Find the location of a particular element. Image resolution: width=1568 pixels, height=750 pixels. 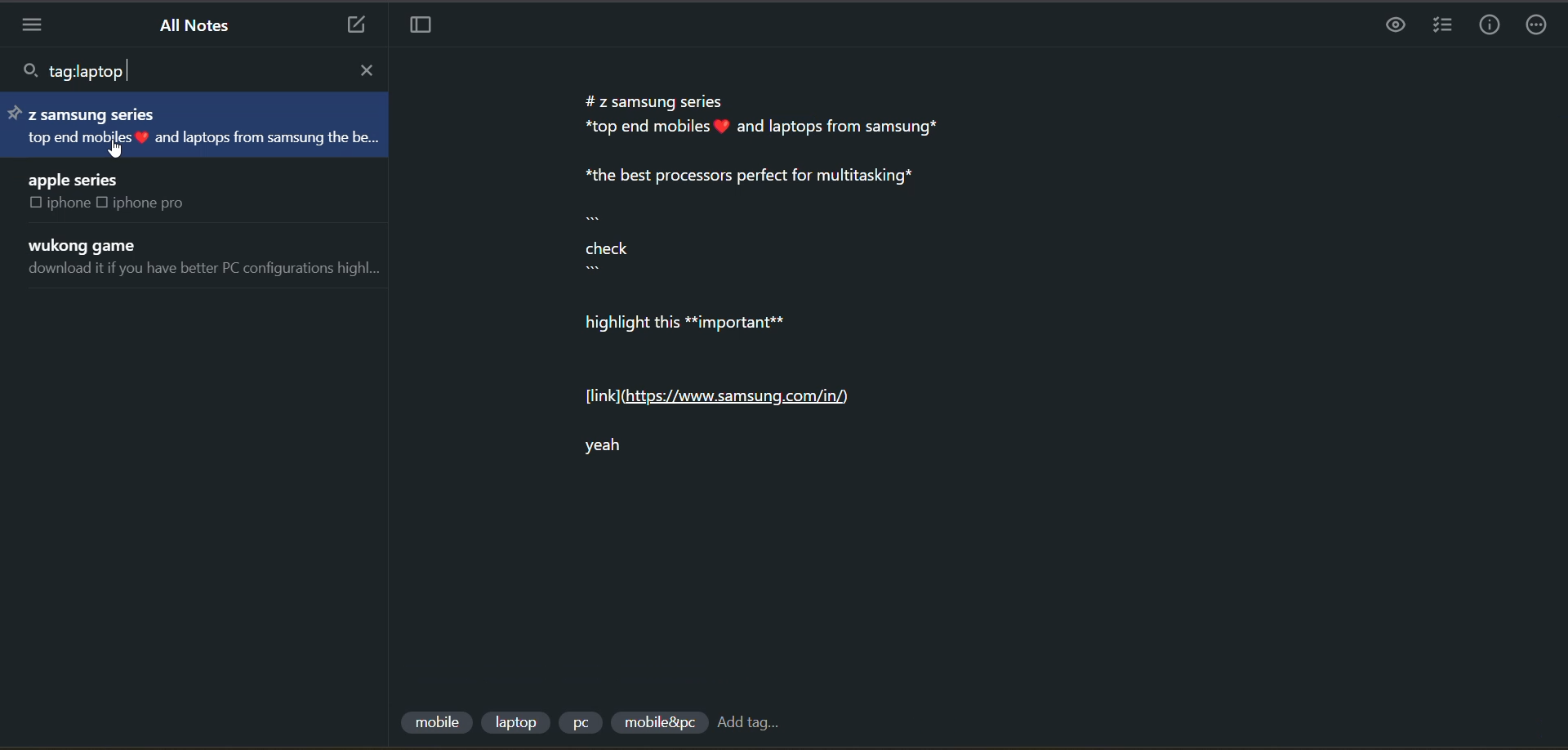

preview is located at coordinates (1396, 27).